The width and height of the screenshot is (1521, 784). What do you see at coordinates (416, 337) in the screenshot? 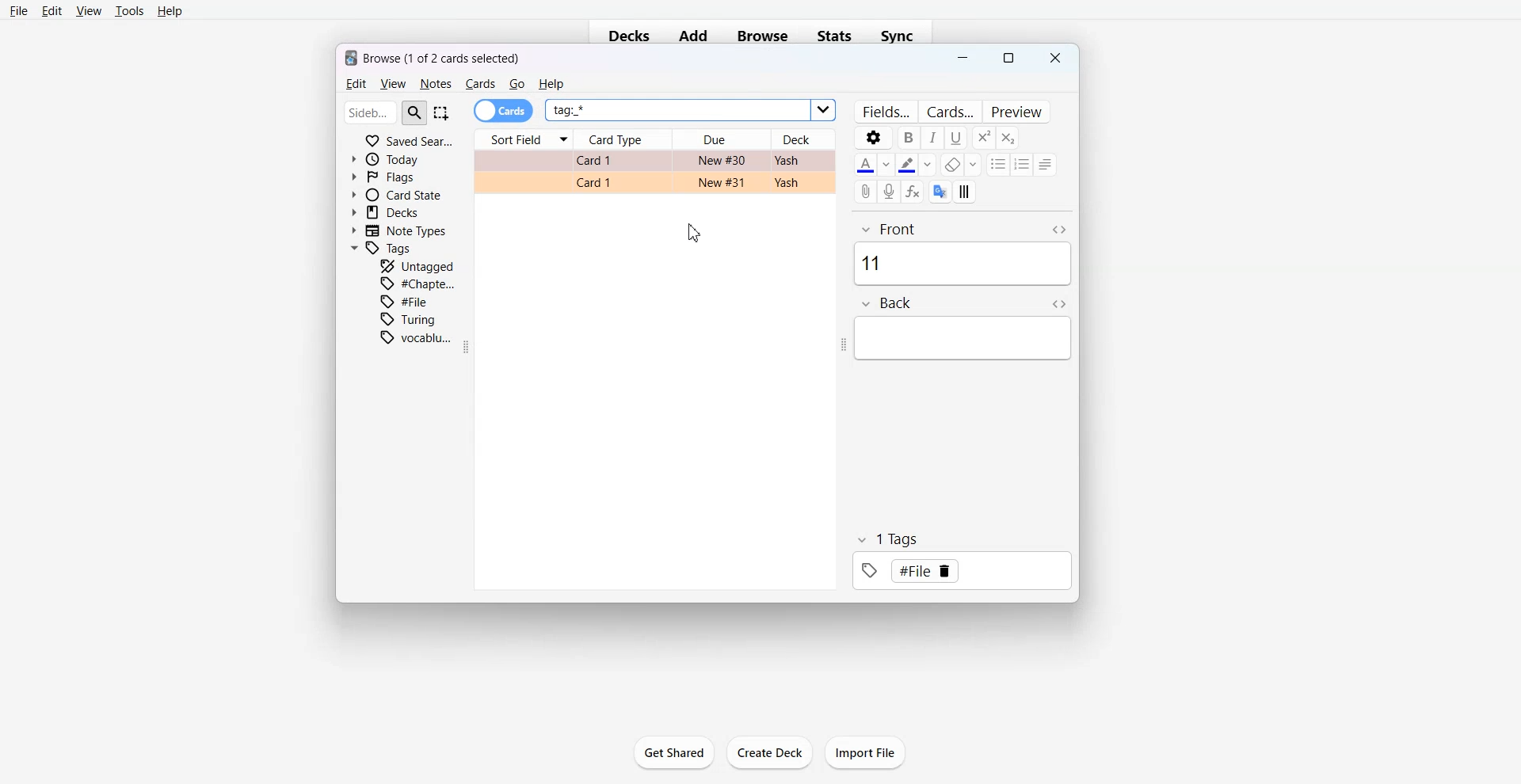
I see `Vocabulary` at bounding box center [416, 337].